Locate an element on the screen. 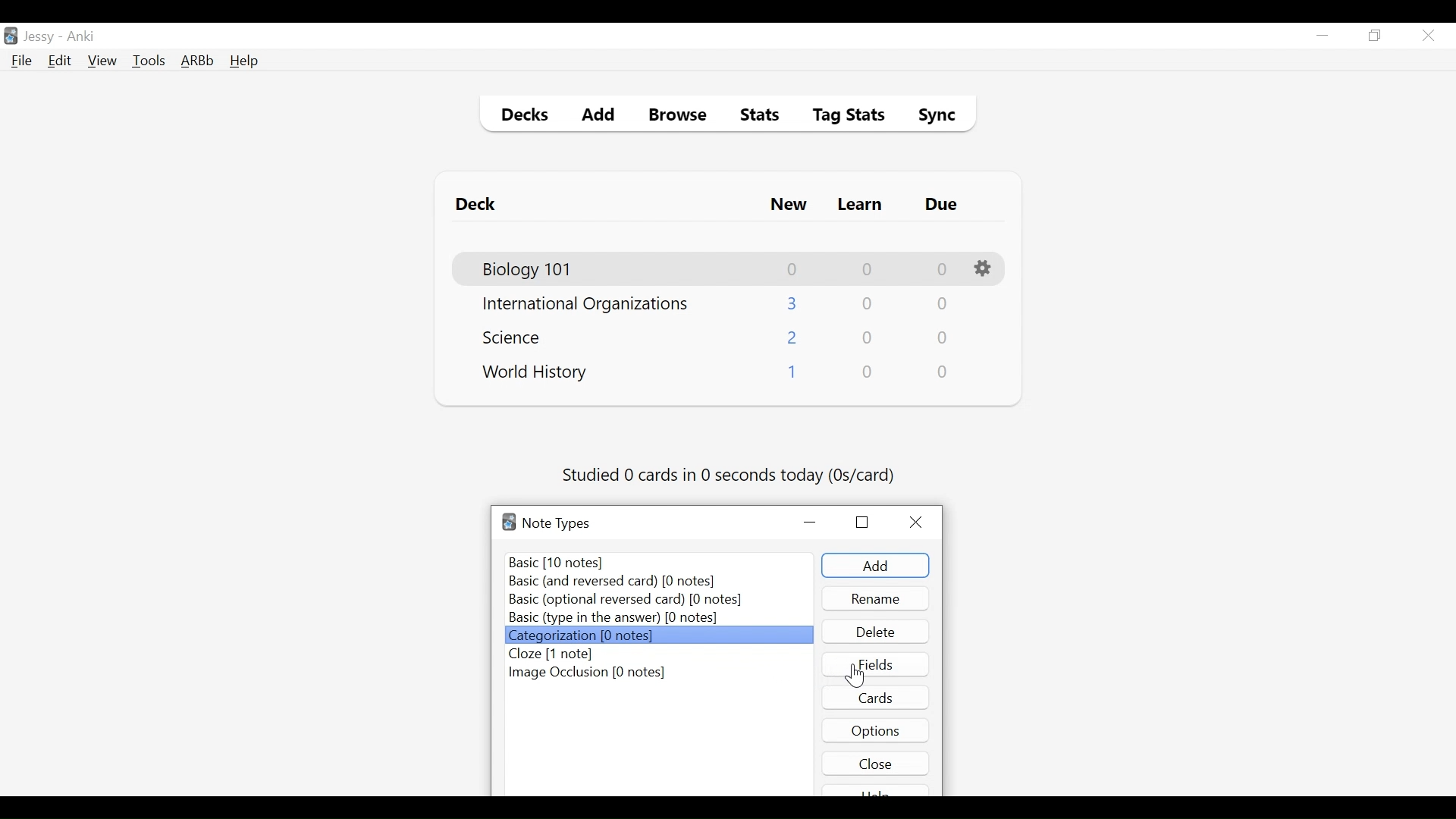  minimize is located at coordinates (811, 523).